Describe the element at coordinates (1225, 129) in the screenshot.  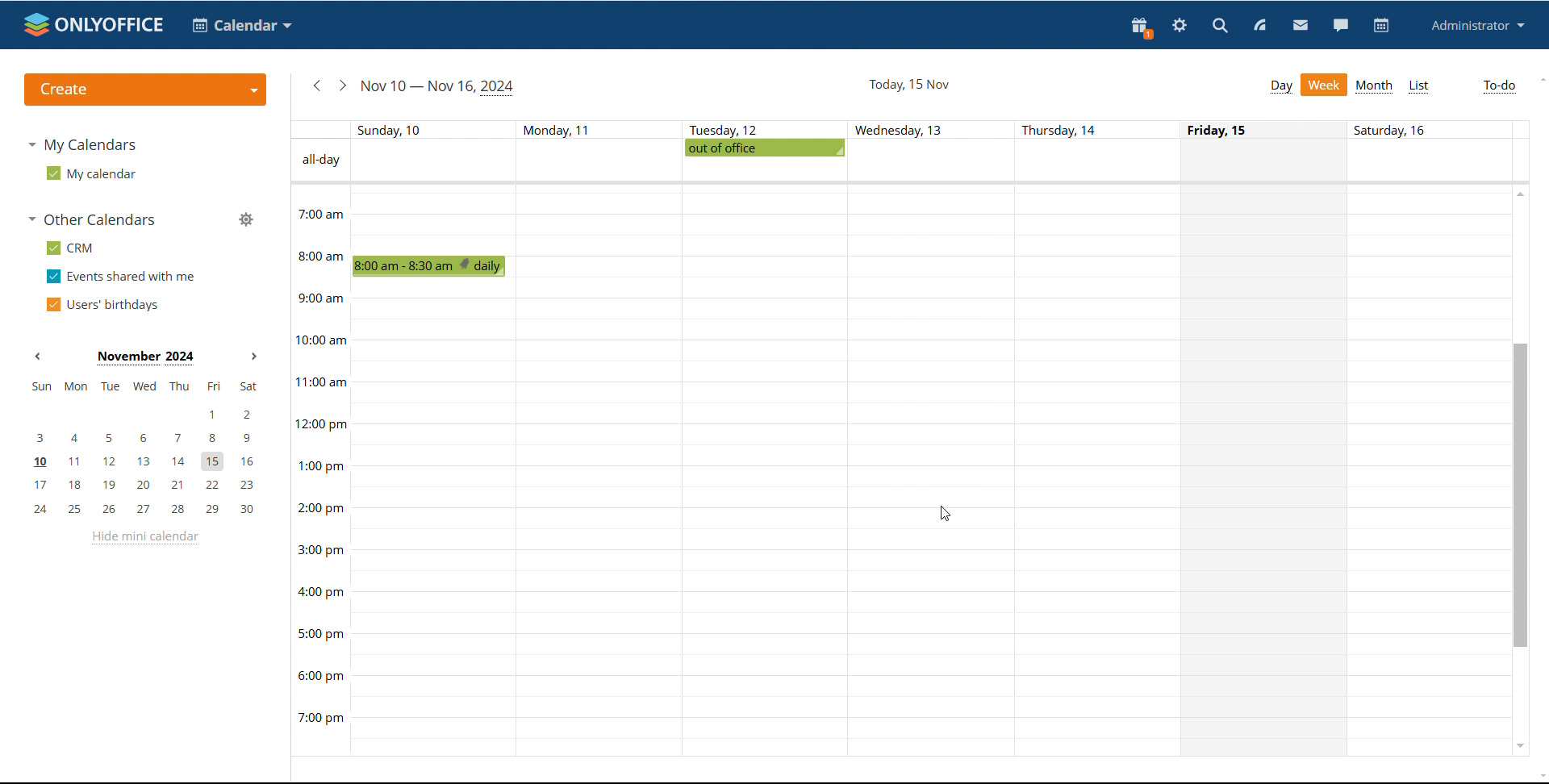
I see `text` at that location.